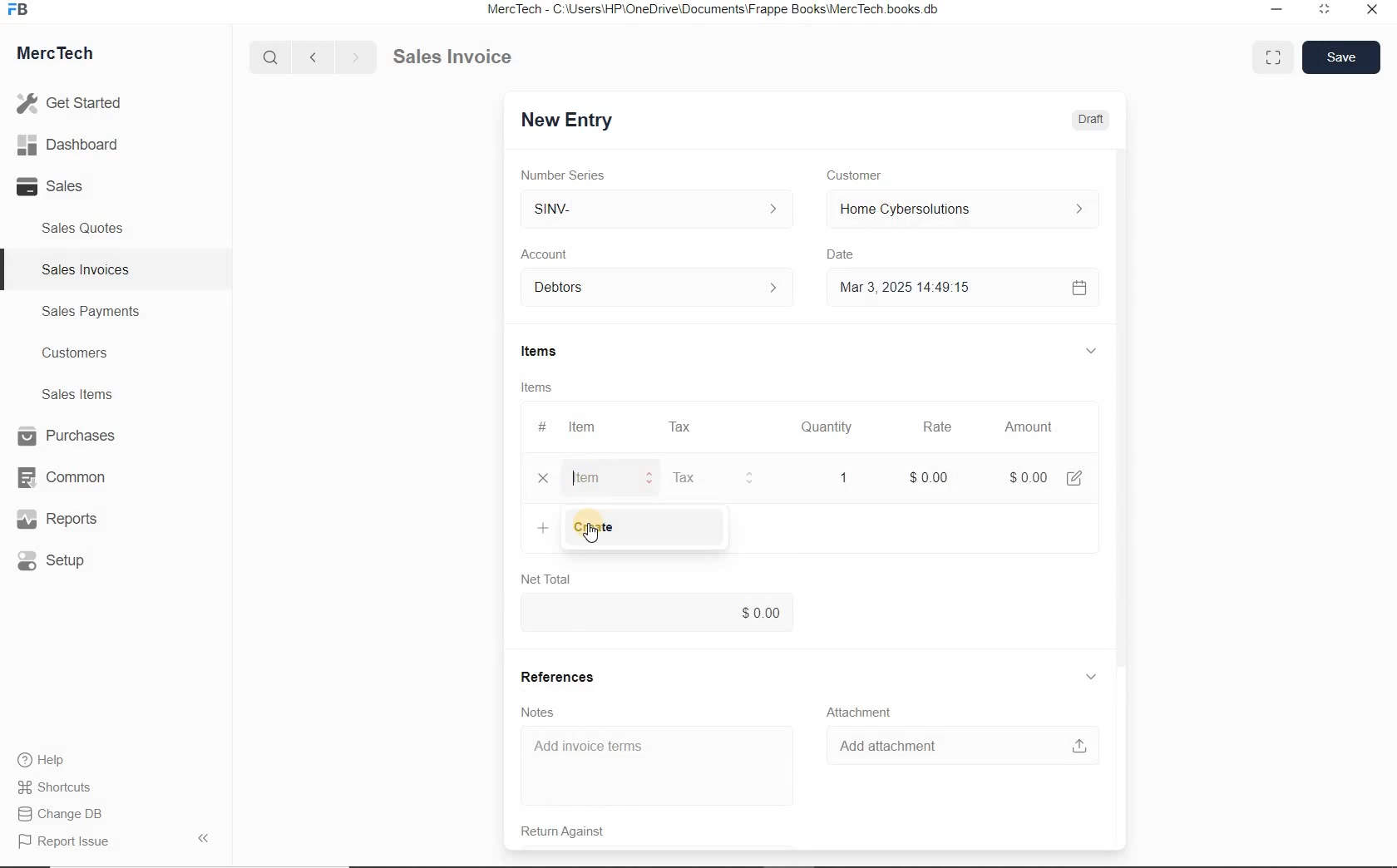  What do you see at coordinates (568, 175) in the screenshot?
I see `Number Series` at bounding box center [568, 175].